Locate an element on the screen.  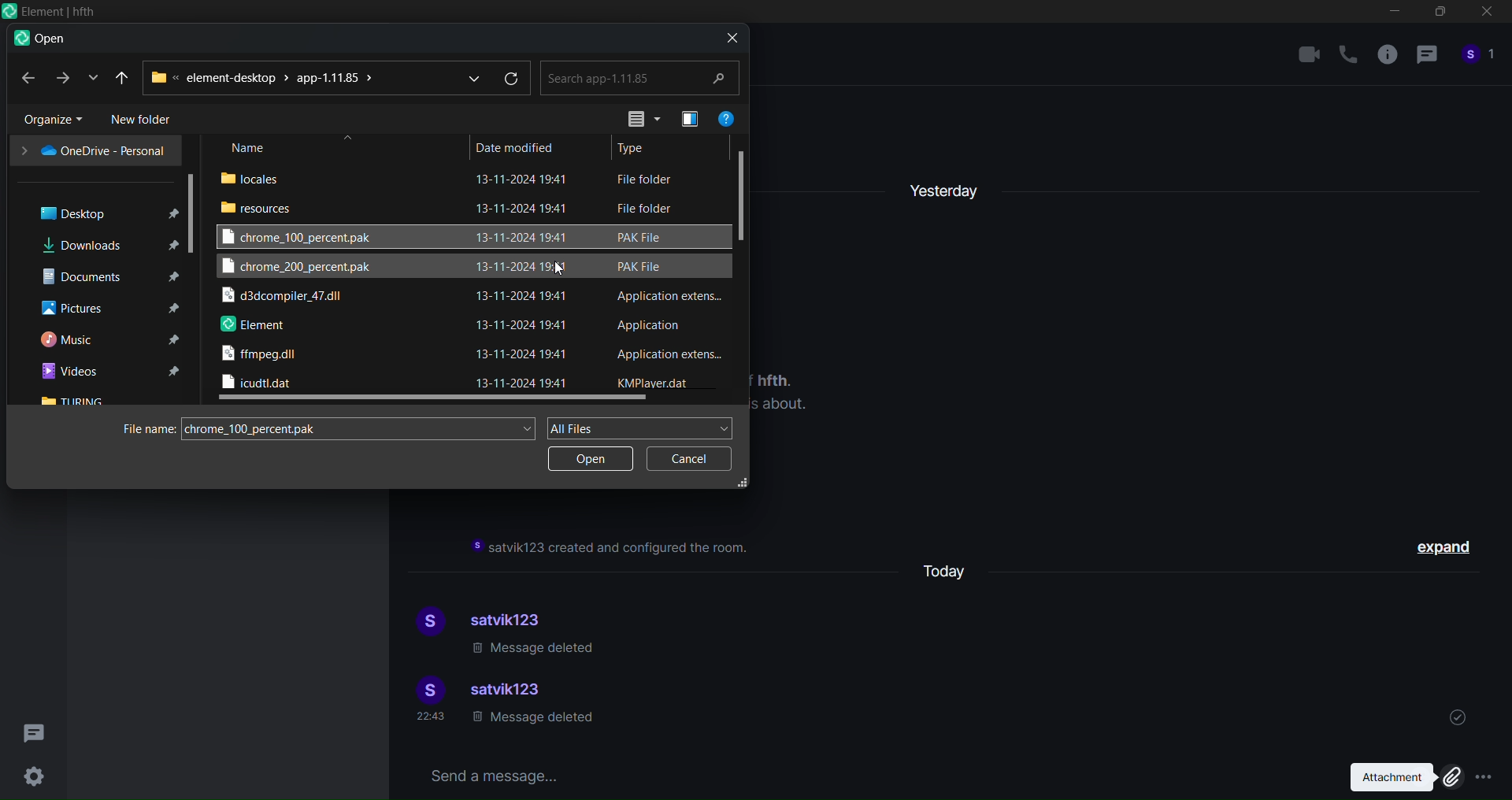
time is located at coordinates (433, 718).